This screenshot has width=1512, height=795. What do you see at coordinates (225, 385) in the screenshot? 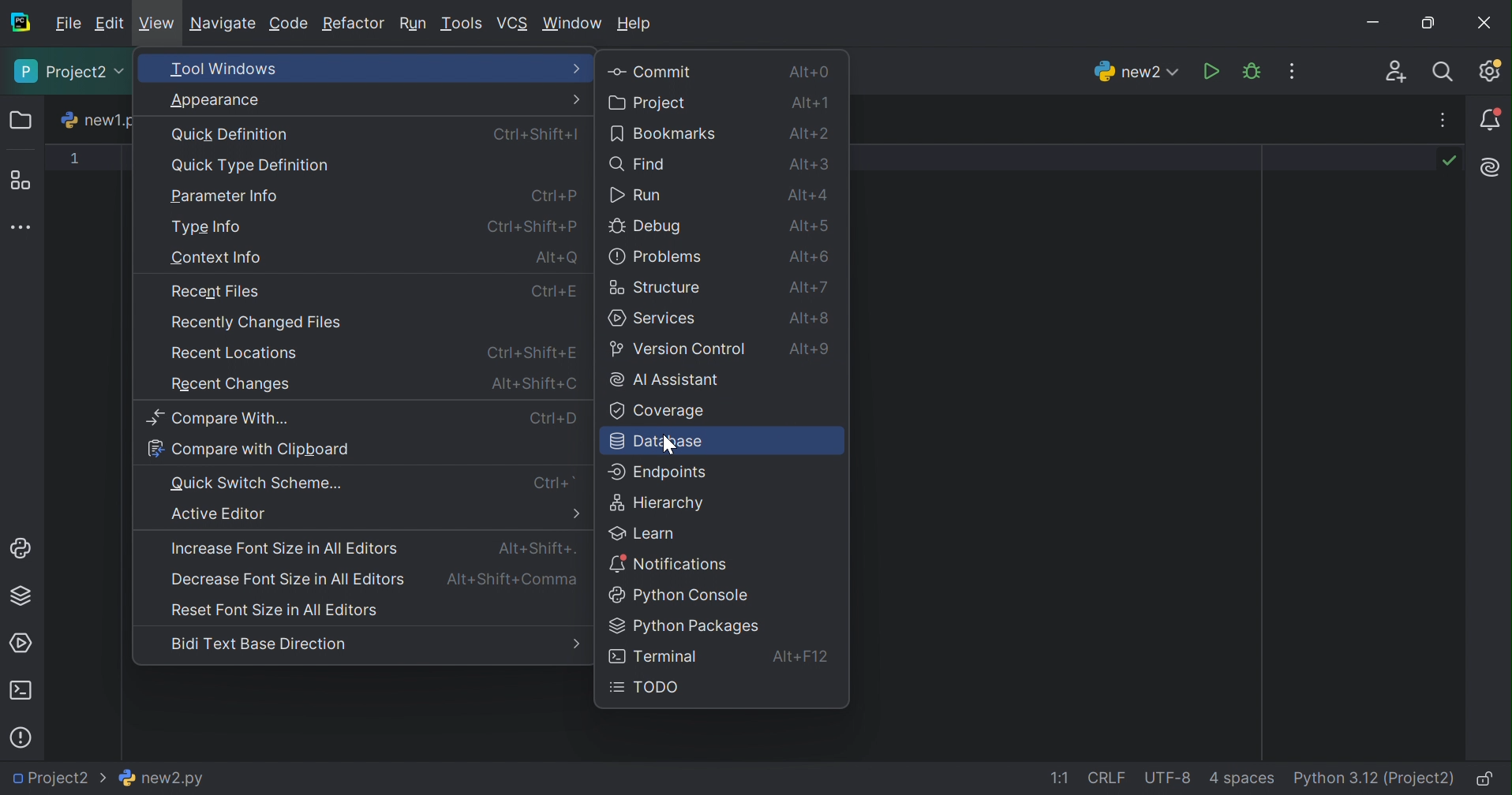
I see `Recent changes` at bounding box center [225, 385].